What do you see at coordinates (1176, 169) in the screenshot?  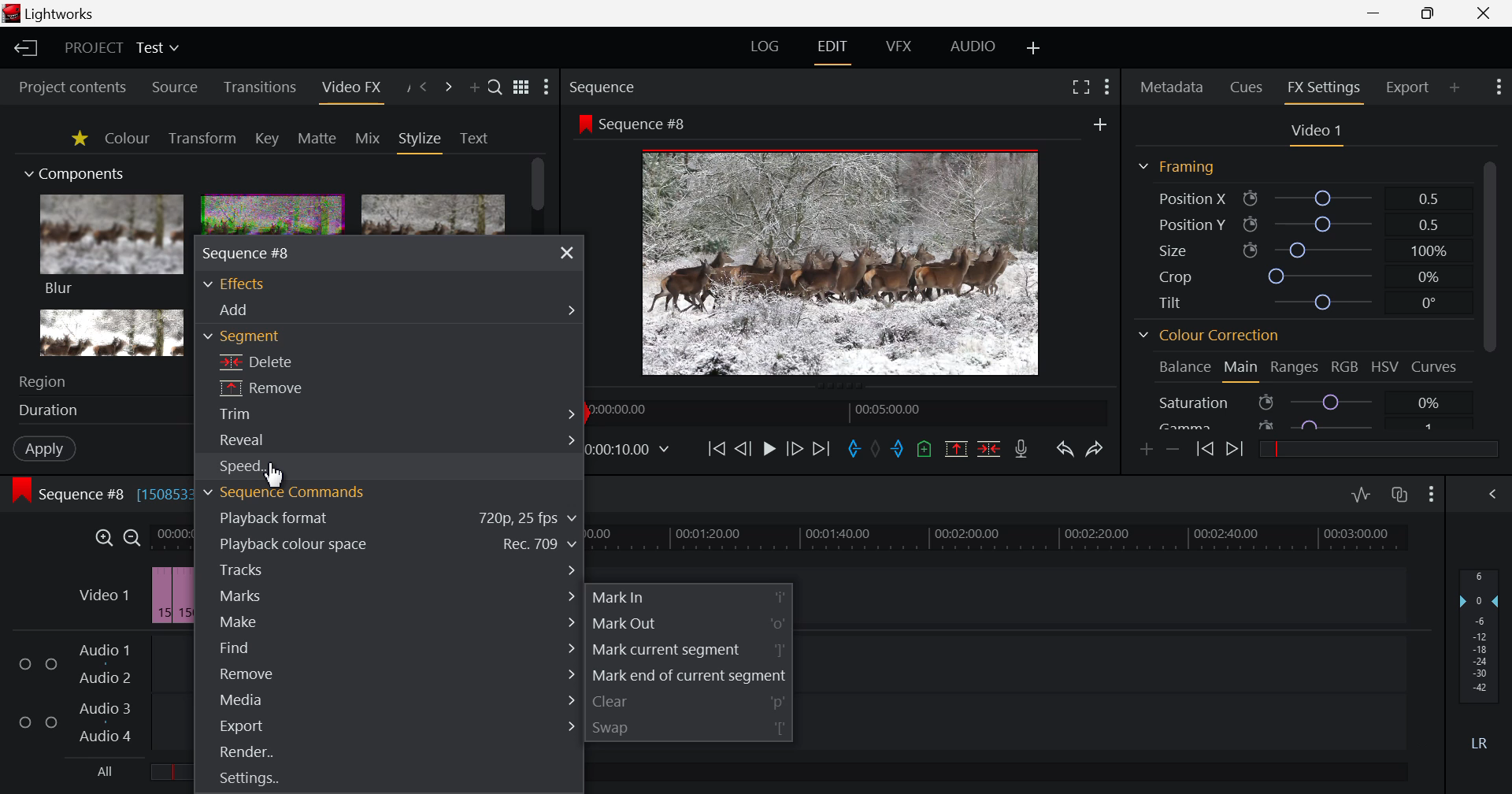 I see `Framing Section` at bounding box center [1176, 169].